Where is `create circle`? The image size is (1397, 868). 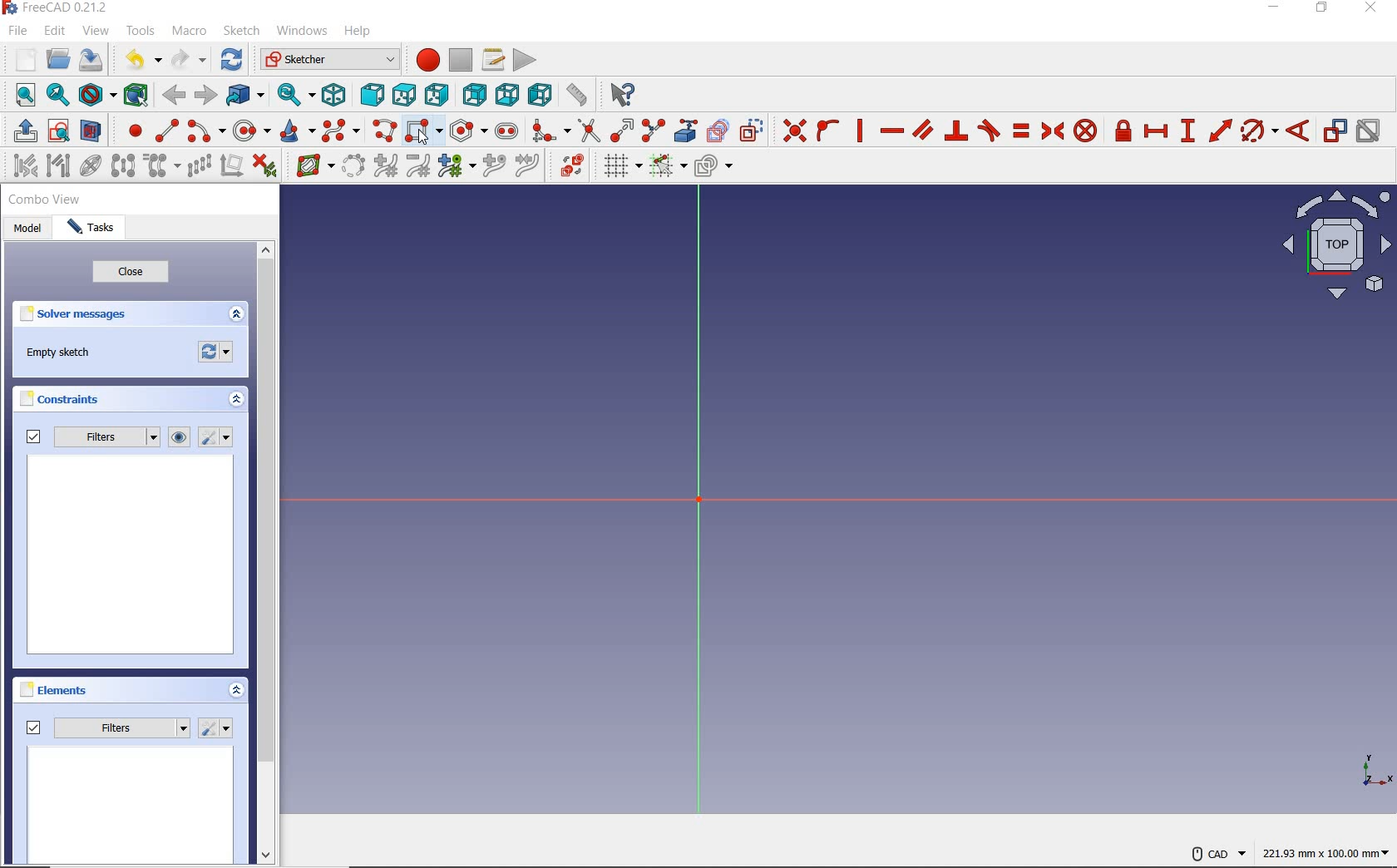 create circle is located at coordinates (252, 131).